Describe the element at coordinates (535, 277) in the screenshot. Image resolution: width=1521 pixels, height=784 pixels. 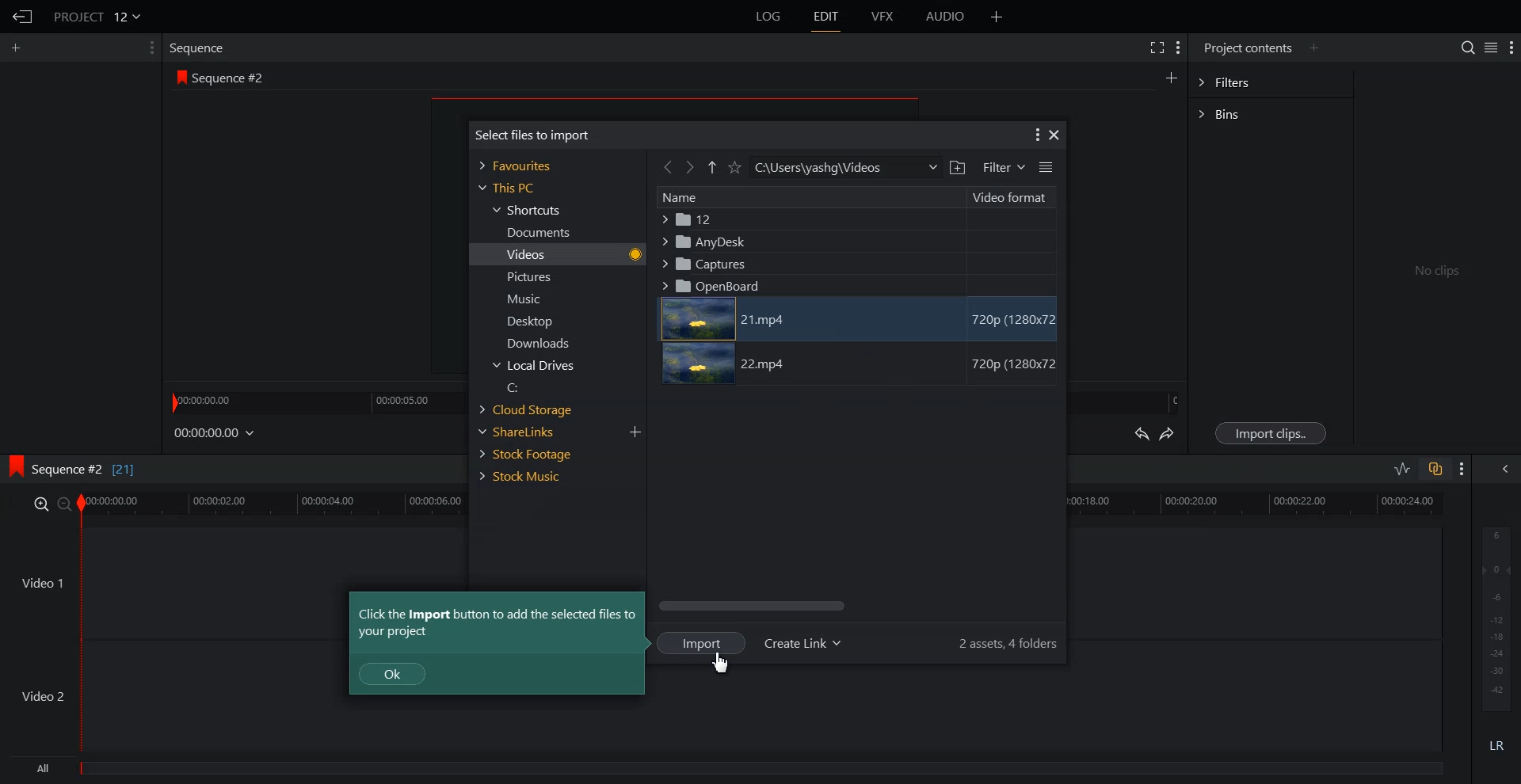
I see `Pictures` at that location.